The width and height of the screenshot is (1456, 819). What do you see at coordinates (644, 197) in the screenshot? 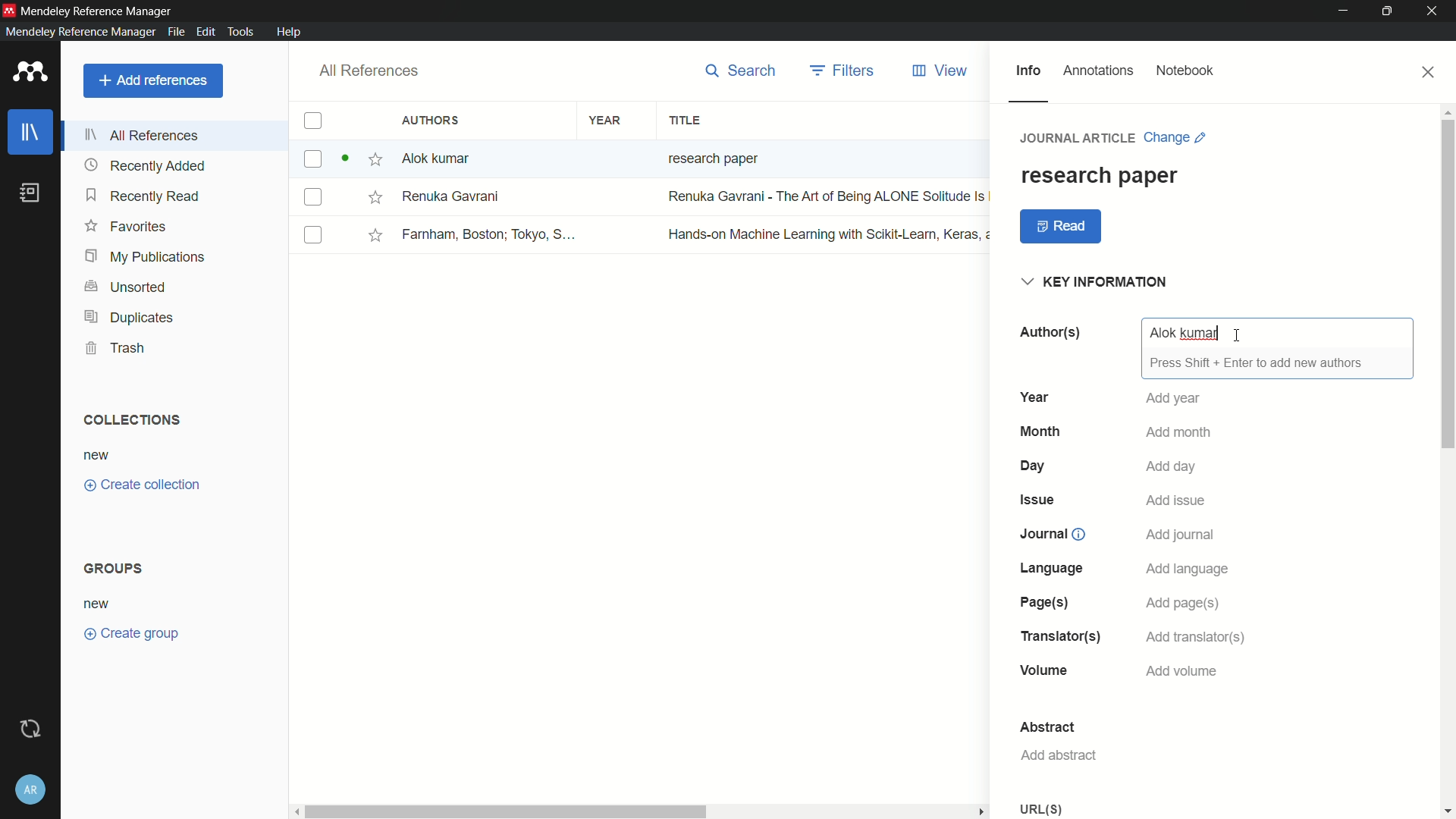
I see `book-2` at bounding box center [644, 197].